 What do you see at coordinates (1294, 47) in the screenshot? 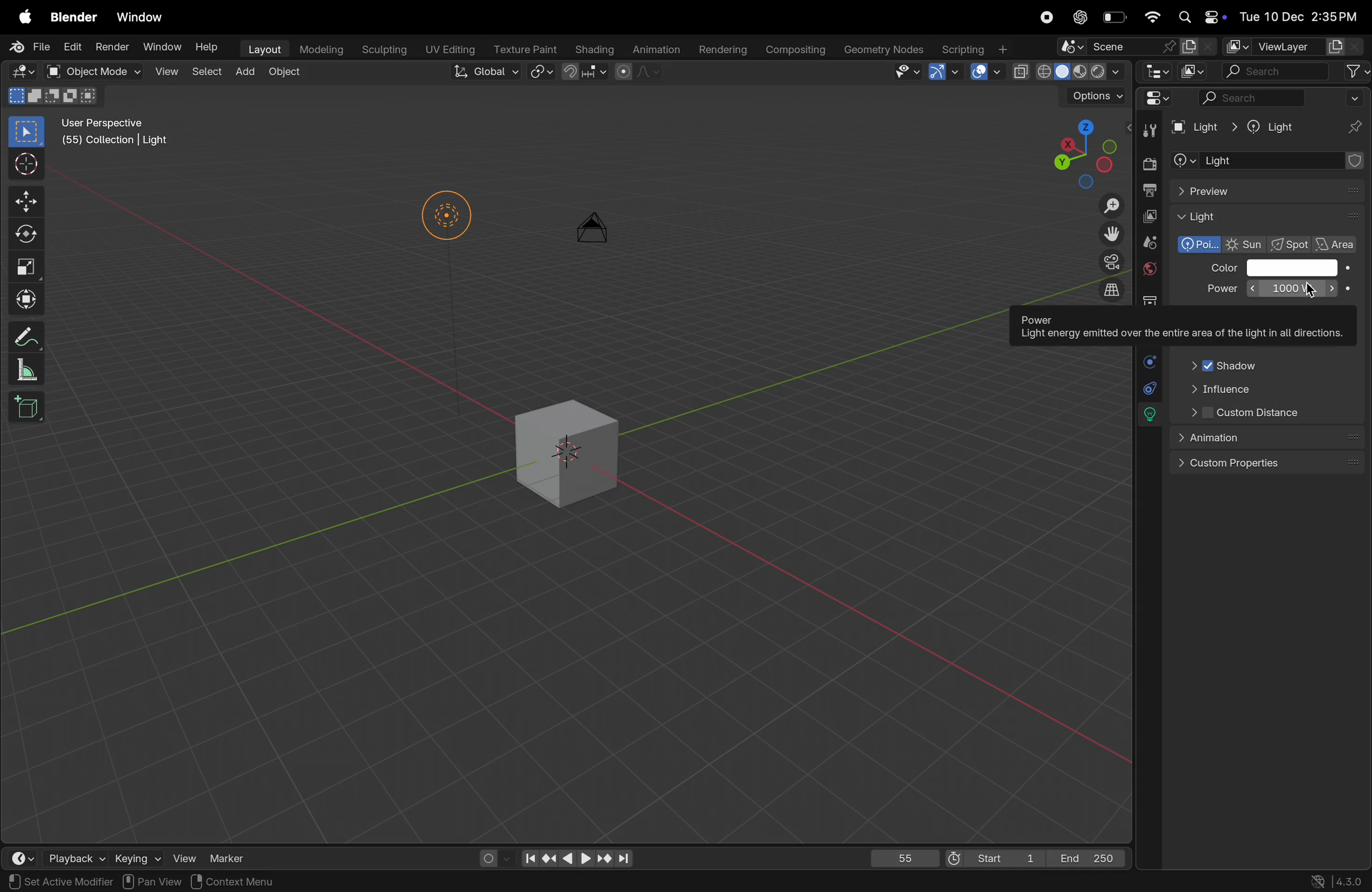
I see `view layer` at bounding box center [1294, 47].